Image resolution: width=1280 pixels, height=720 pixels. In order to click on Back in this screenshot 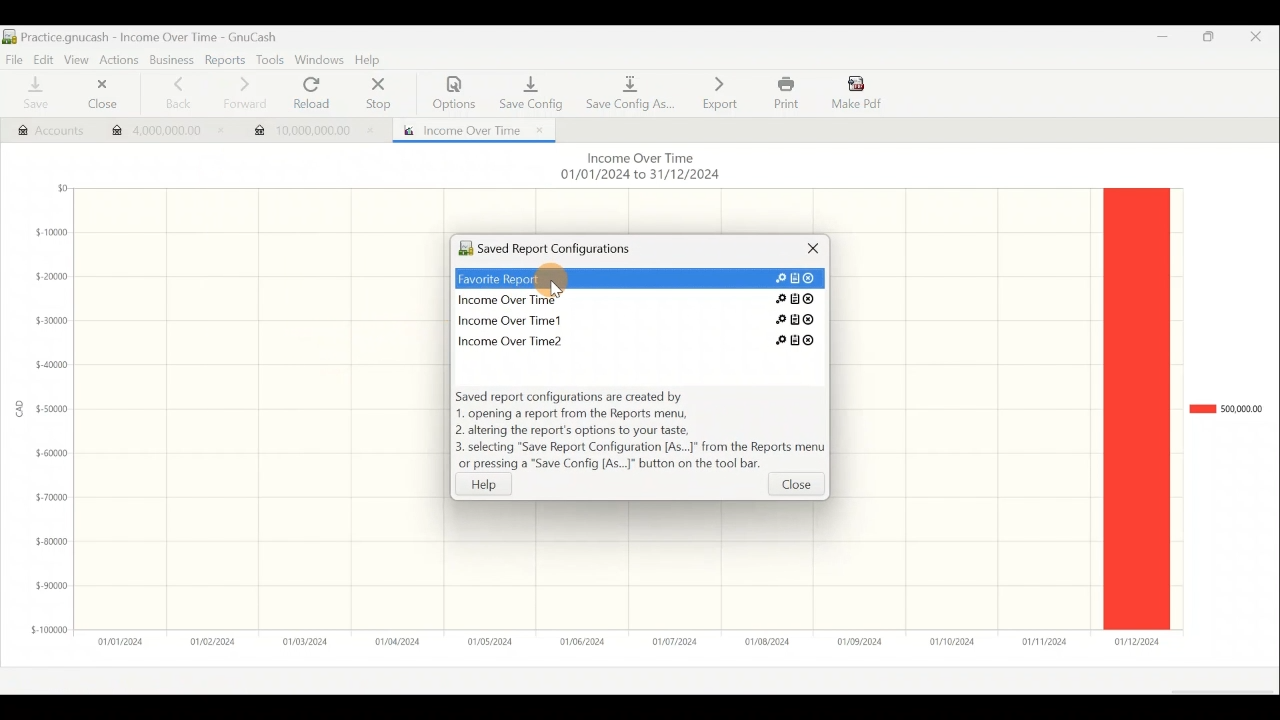, I will do `click(172, 93)`.